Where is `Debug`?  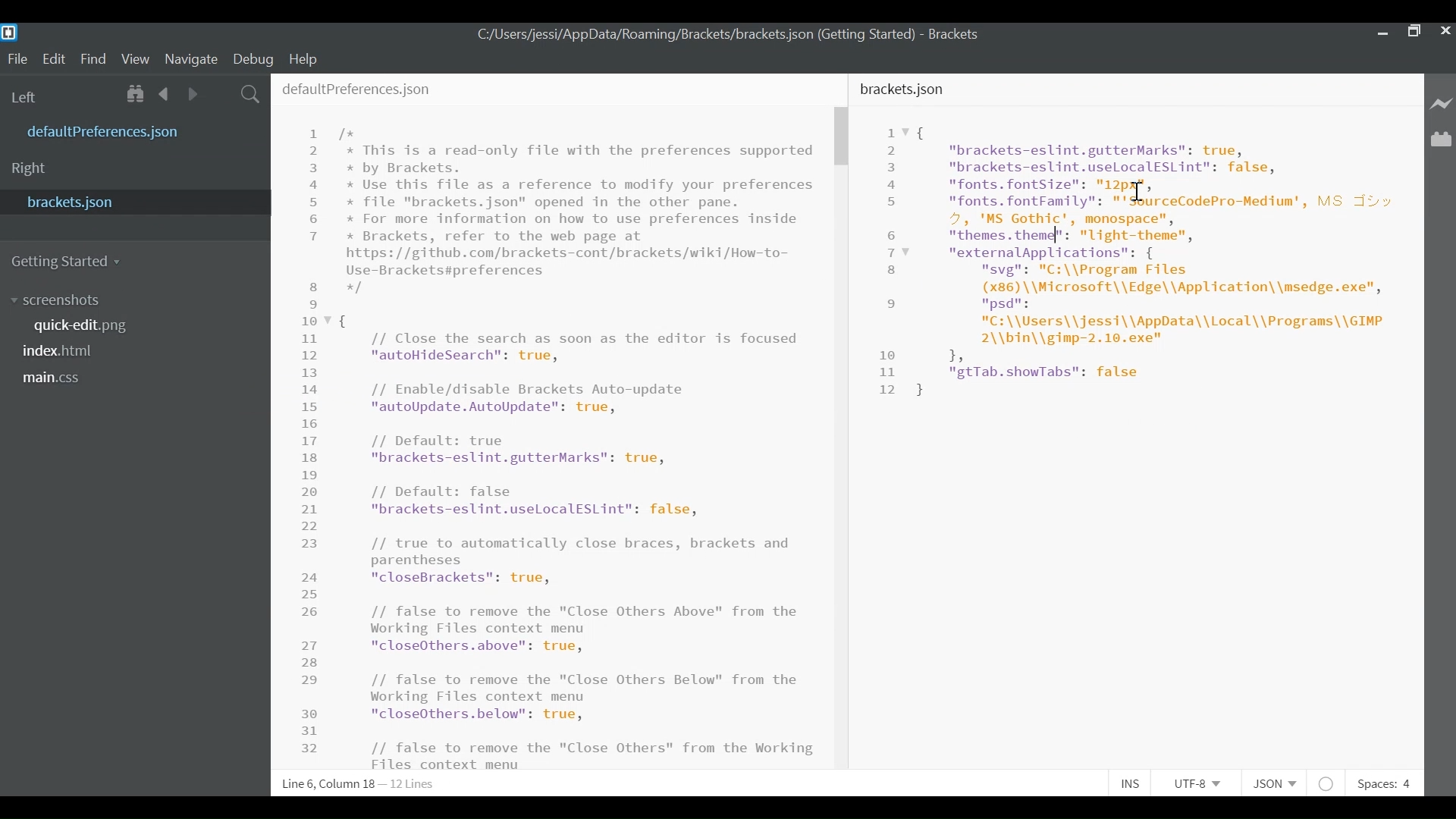 Debug is located at coordinates (252, 59).